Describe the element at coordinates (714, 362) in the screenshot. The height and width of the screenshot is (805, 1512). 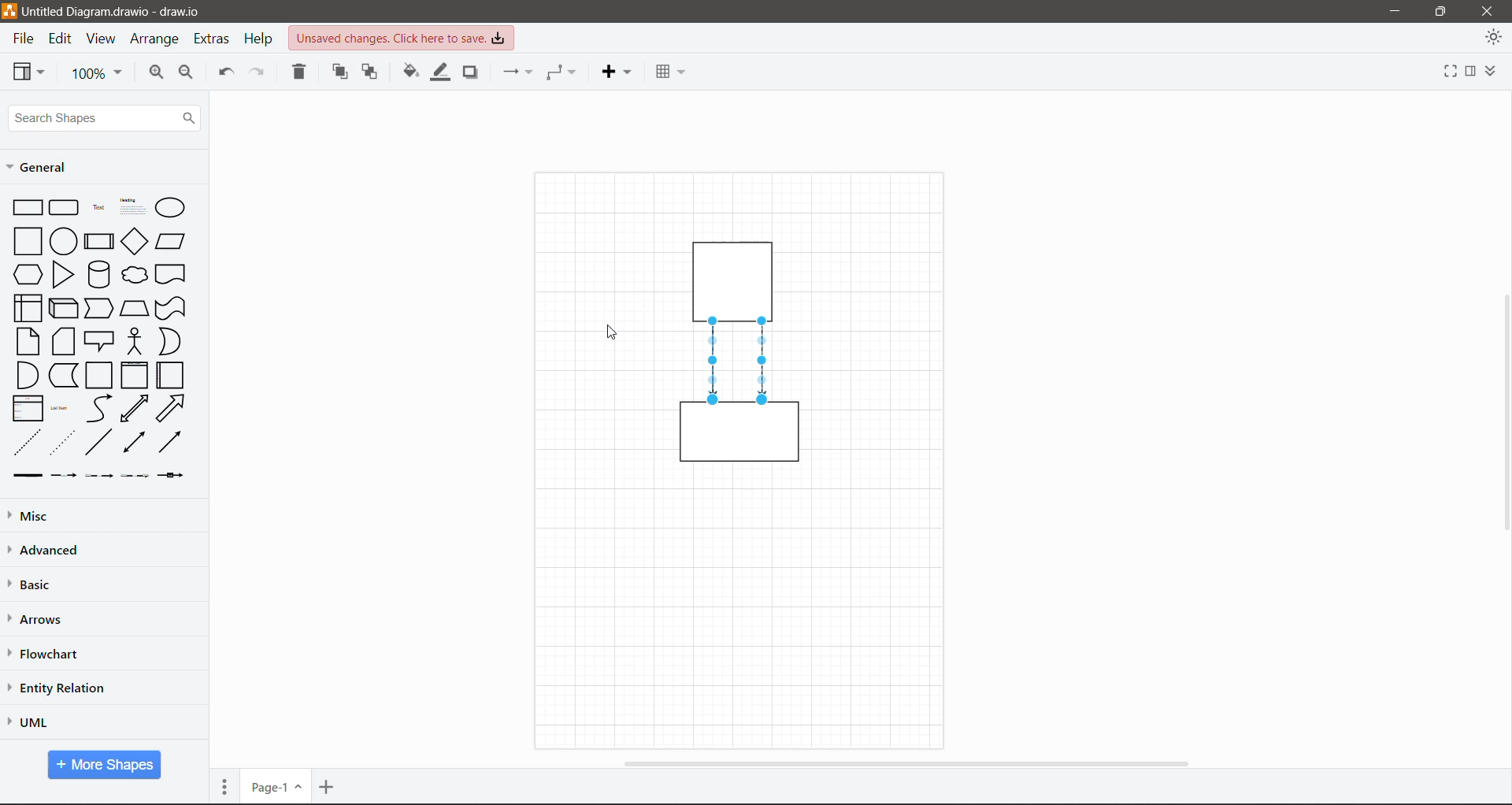
I see `Directional Connector` at that location.